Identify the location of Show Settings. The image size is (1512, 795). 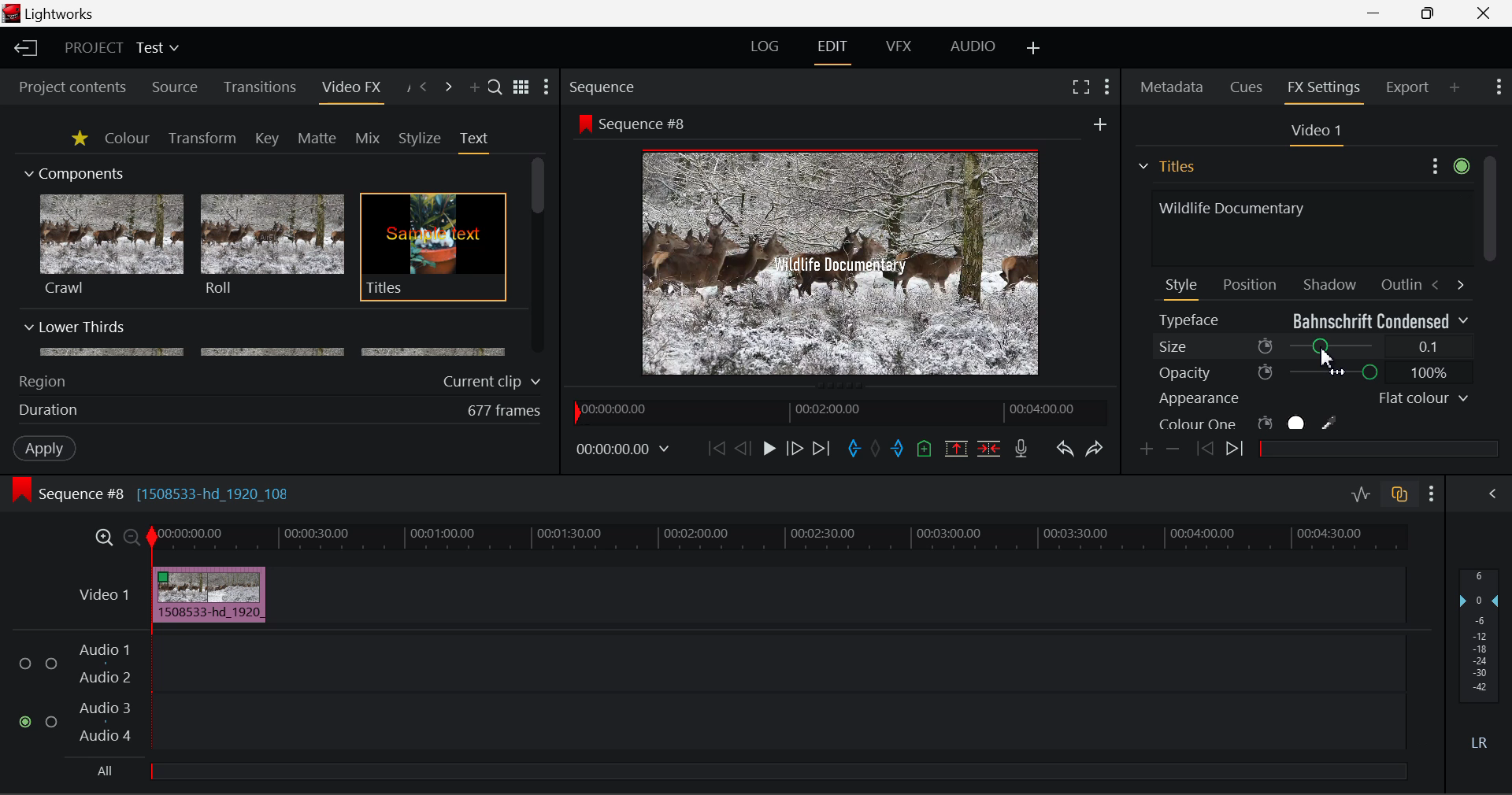
(547, 87).